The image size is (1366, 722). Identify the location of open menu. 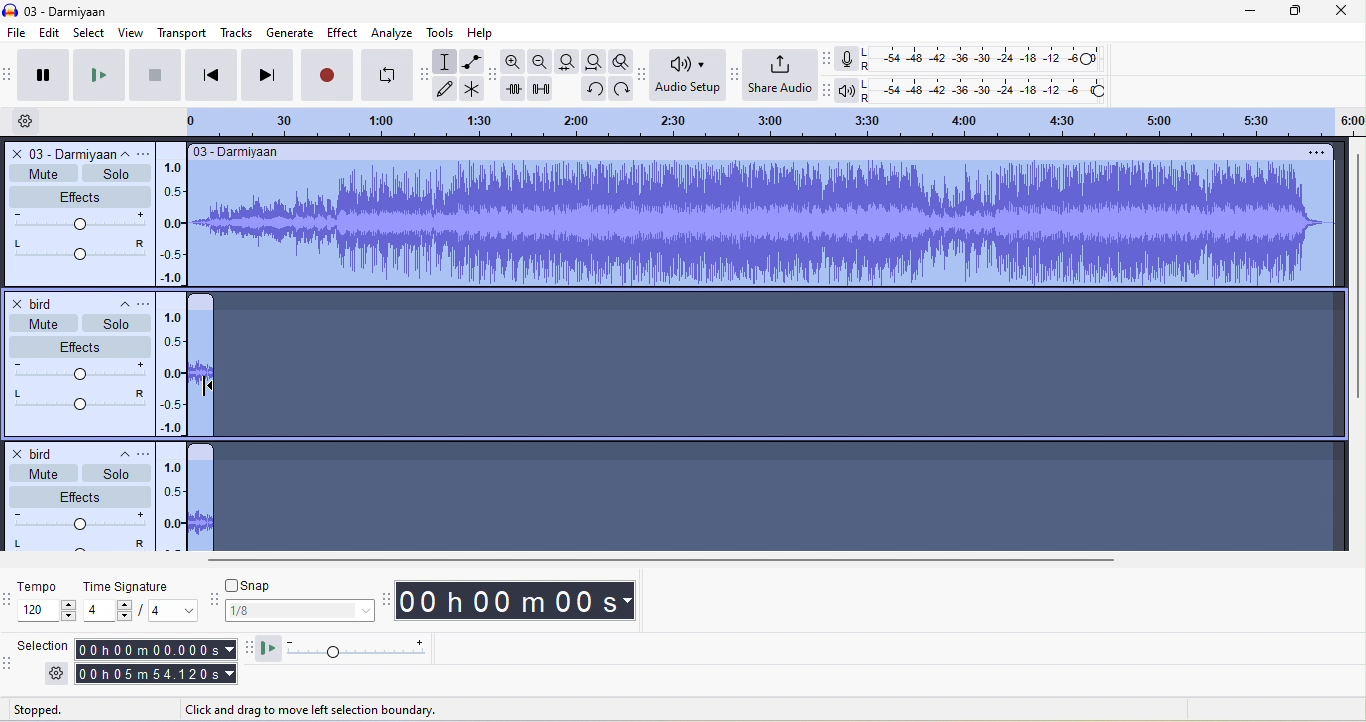
(142, 452).